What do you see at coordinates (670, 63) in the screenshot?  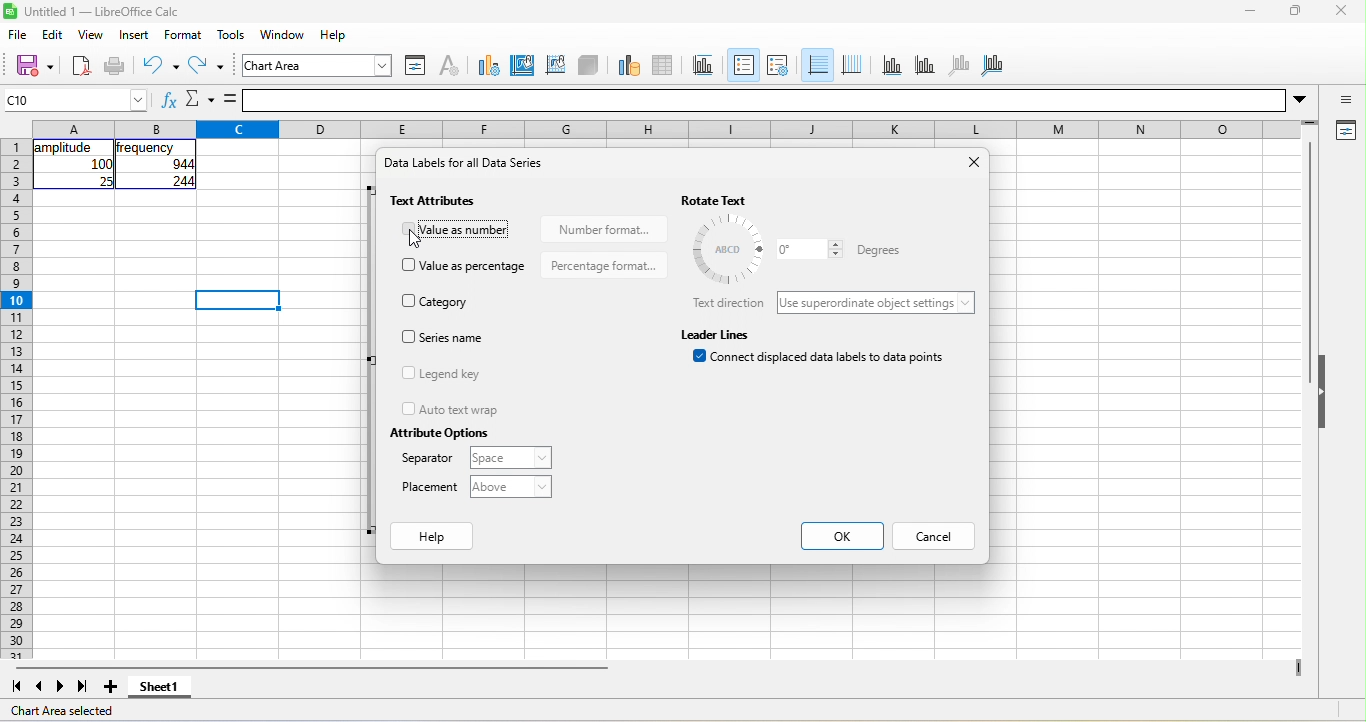 I see `data table` at bounding box center [670, 63].